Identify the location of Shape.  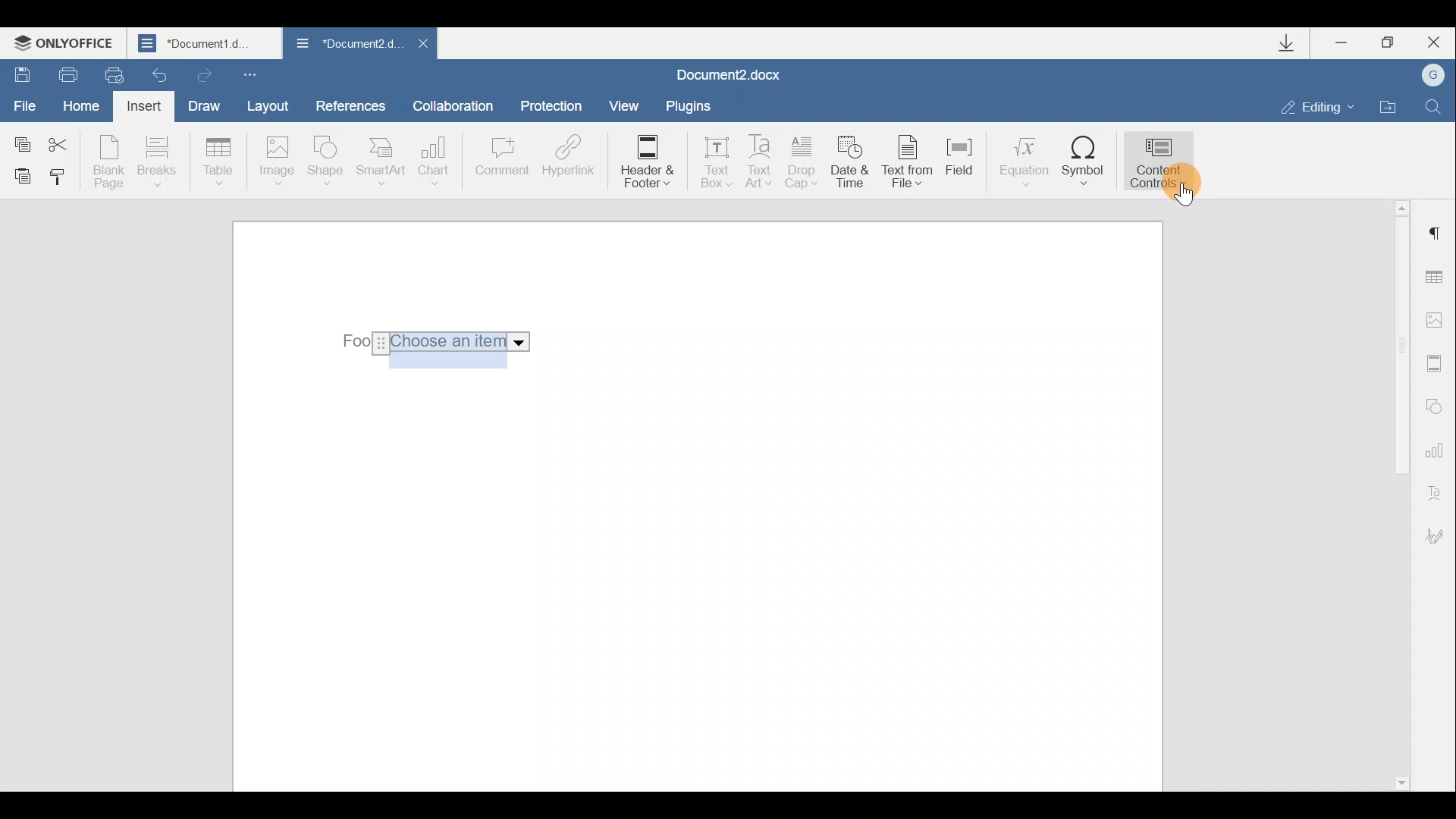
(328, 163).